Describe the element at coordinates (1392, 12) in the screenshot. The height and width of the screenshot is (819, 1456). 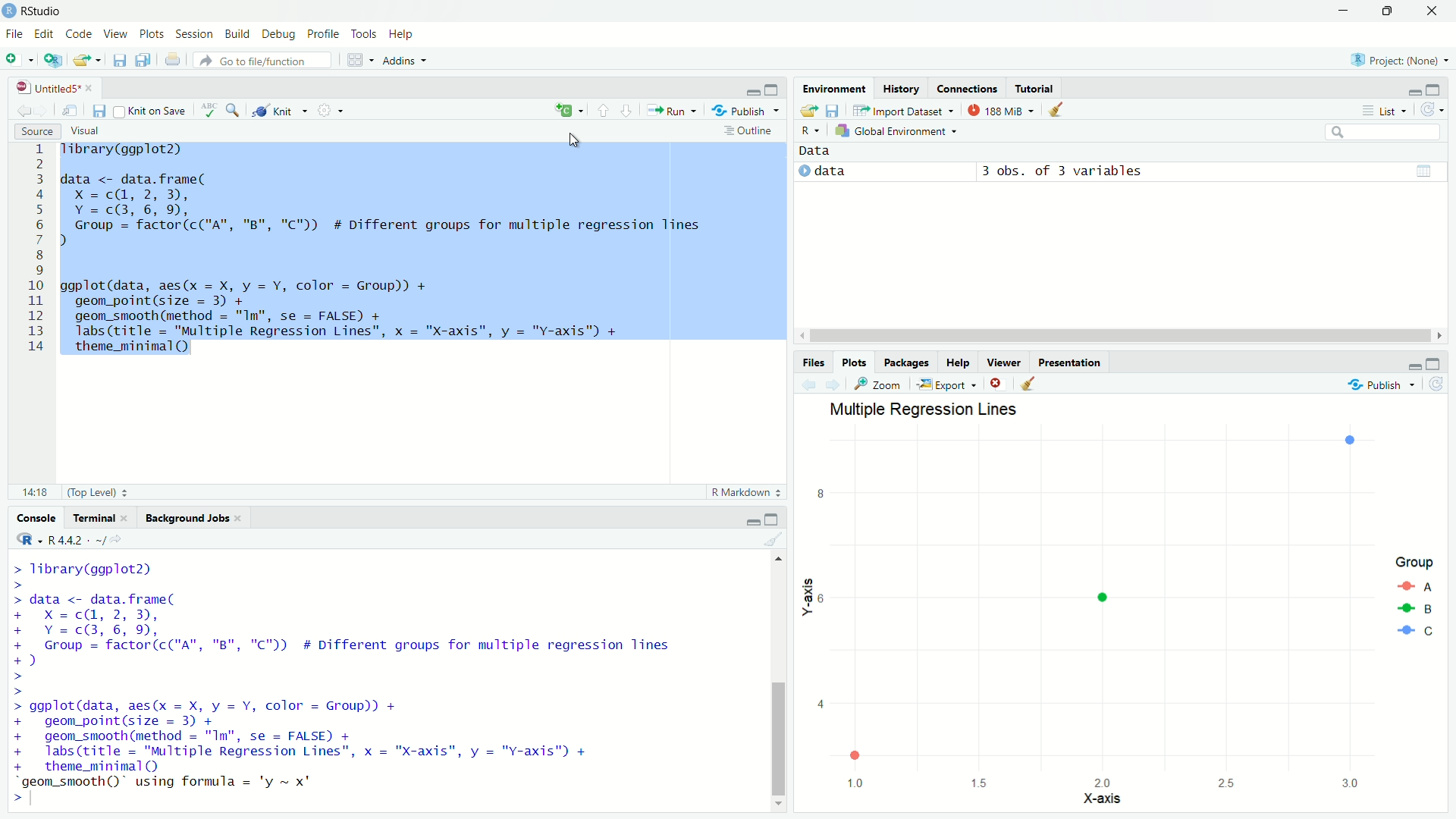
I see `maximise` at that location.